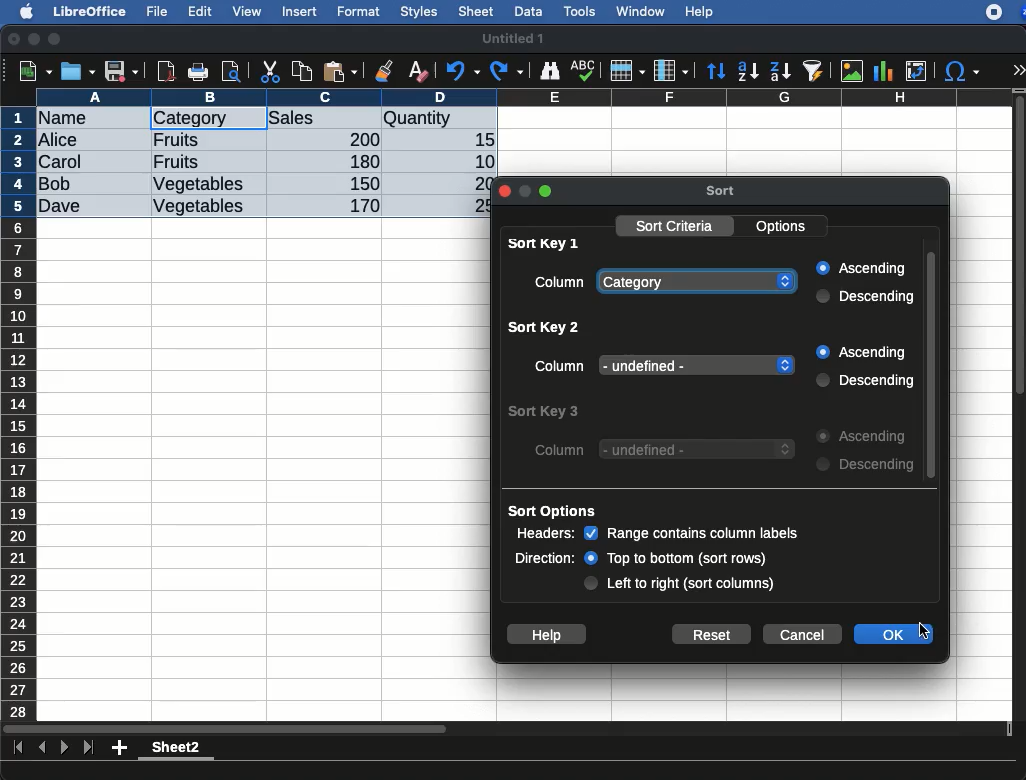 The image size is (1026, 780). What do you see at coordinates (21, 10) in the screenshot?
I see `apple` at bounding box center [21, 10].